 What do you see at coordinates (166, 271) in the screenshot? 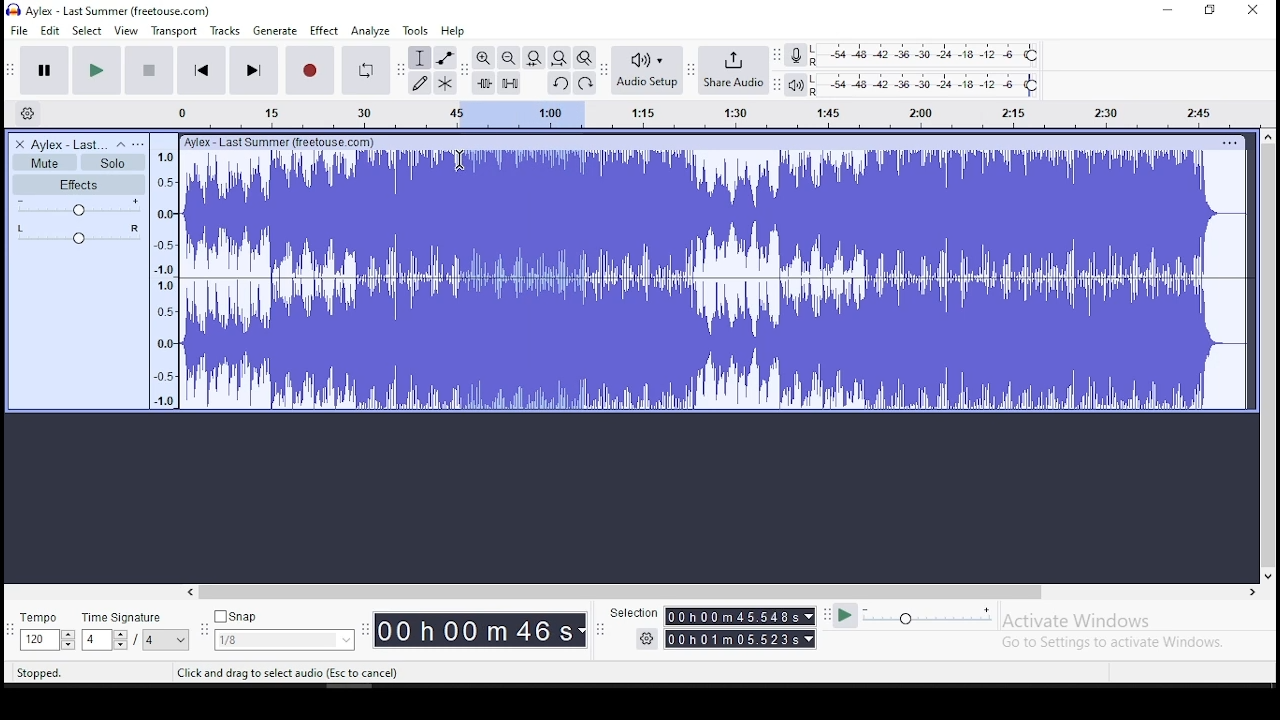
I see `timeline` at bounding box center [166, 271].